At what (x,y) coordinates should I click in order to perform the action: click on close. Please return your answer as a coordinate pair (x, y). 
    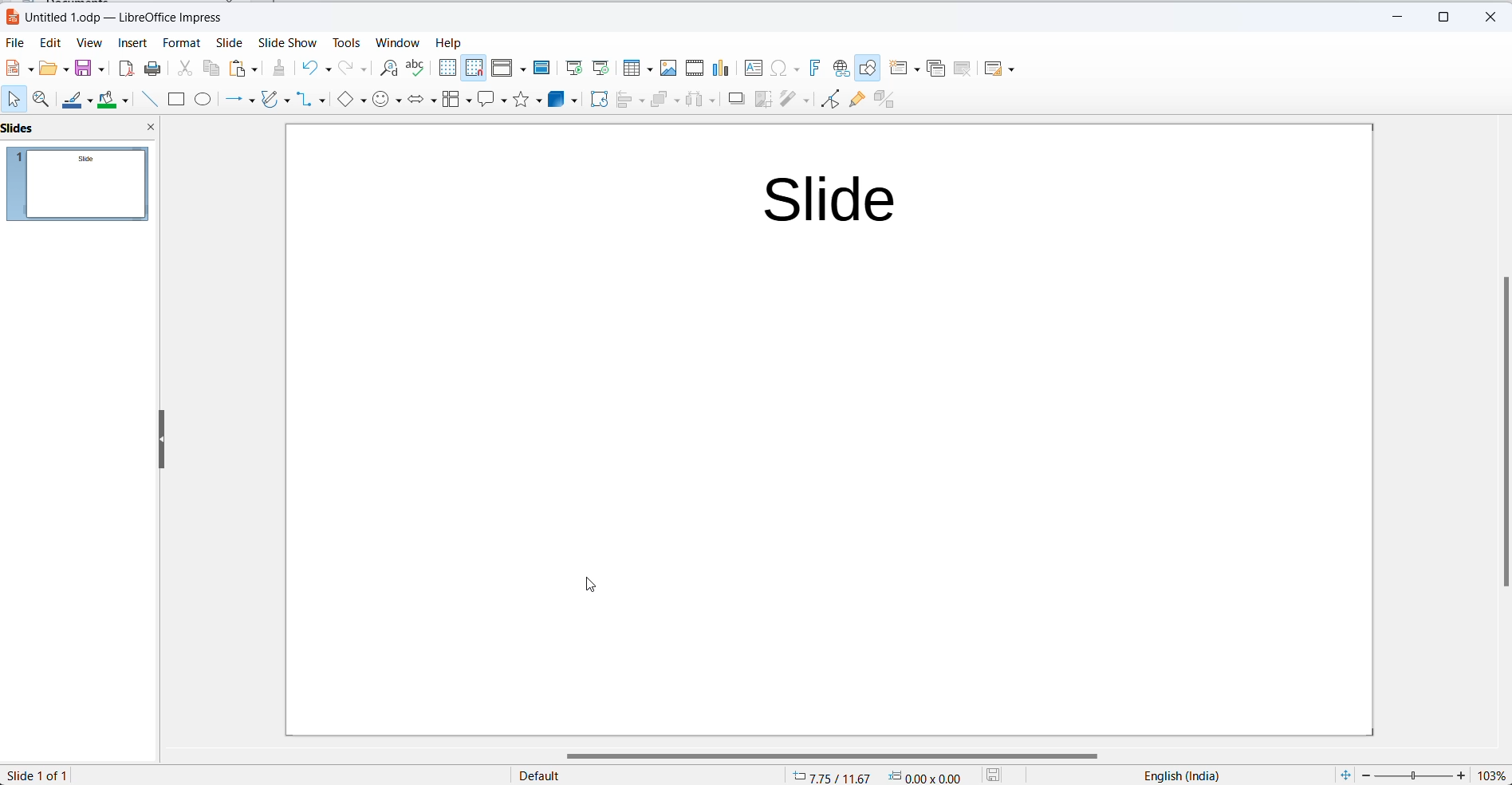
    Looking at the image, I should click on (149, 128).